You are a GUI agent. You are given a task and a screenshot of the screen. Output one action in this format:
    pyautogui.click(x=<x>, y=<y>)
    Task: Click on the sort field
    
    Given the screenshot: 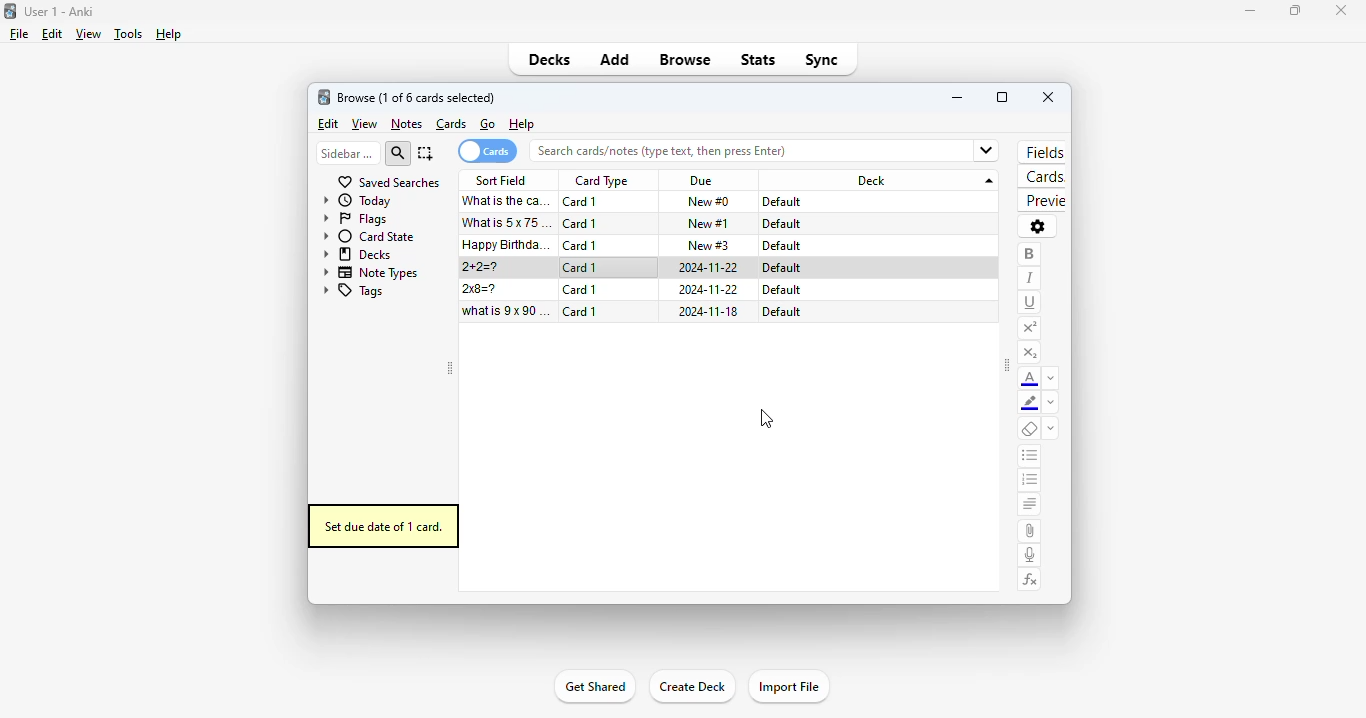 What is the action you would take?
    pyautogui.click(x=502, y=180)
    